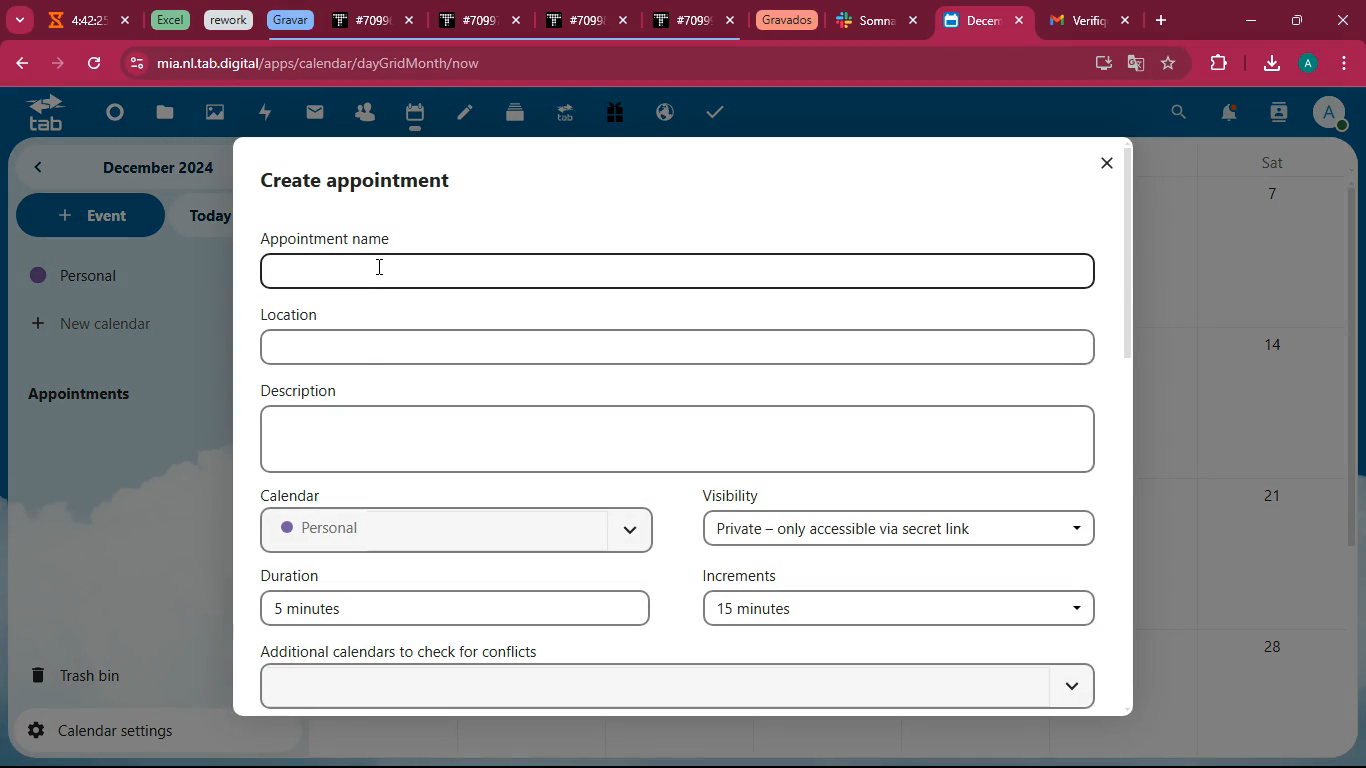  What do you see at coordinates (564, 116) in the screenshot?
I see `tab` at bounding box center [564, 116].